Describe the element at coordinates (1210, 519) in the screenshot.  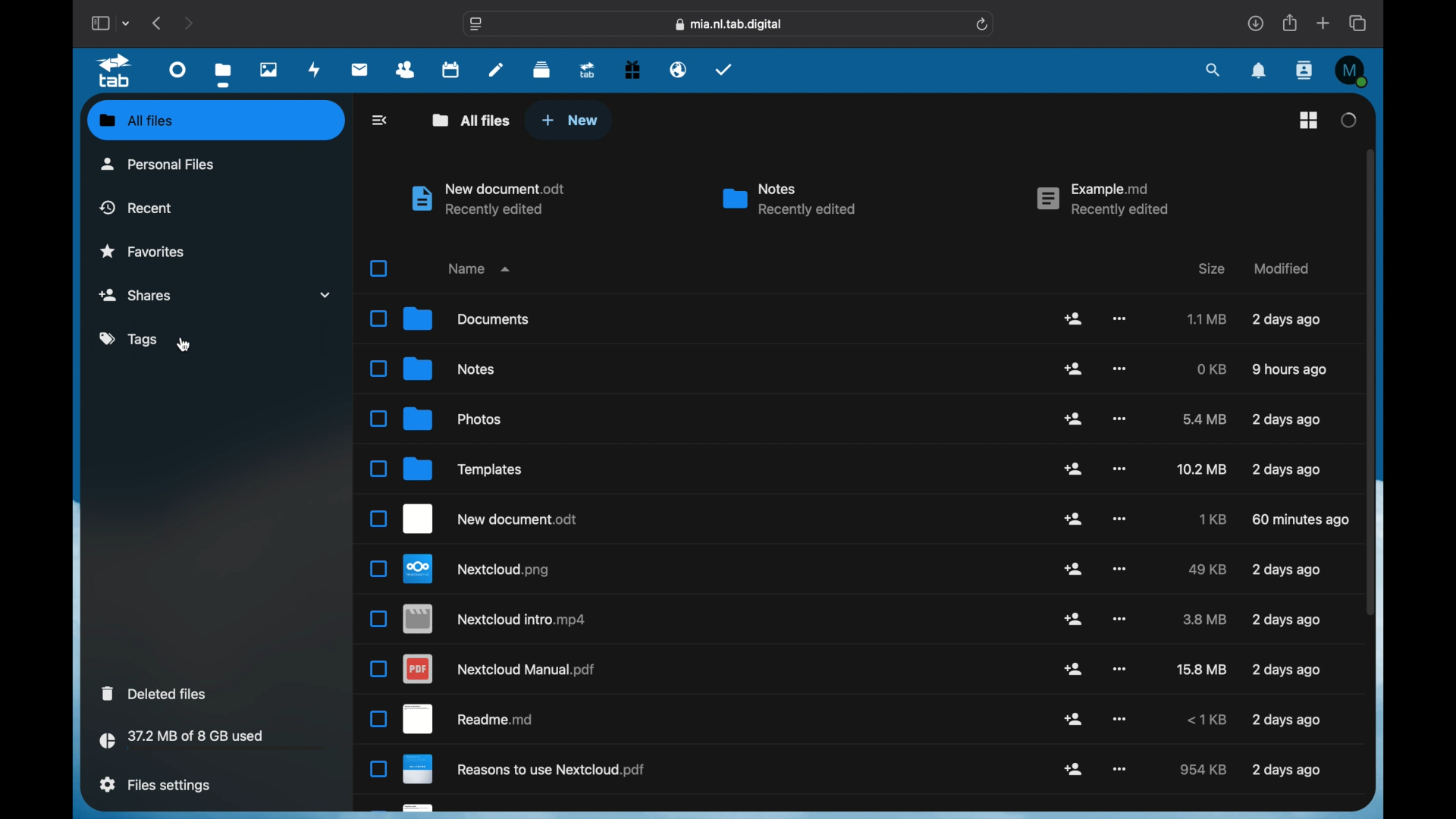
I see `size` at that location.